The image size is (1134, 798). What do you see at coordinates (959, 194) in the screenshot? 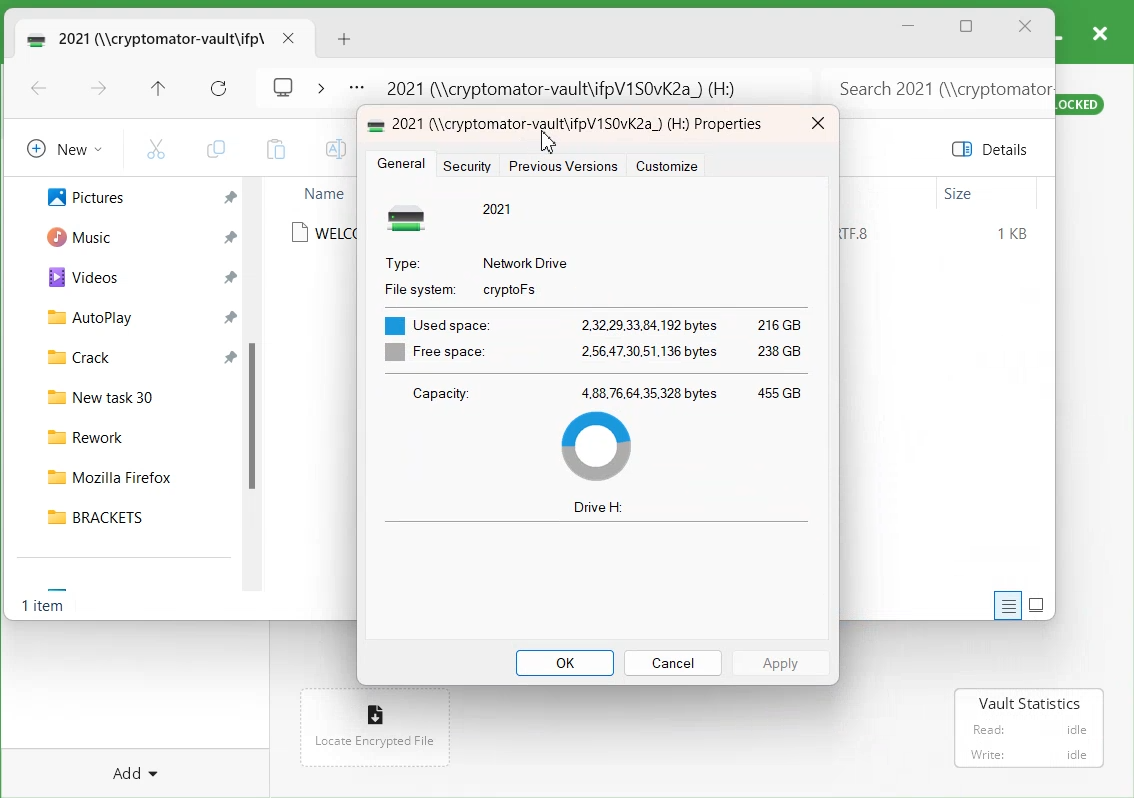
I see `Size` at bounding box center [959, 194].